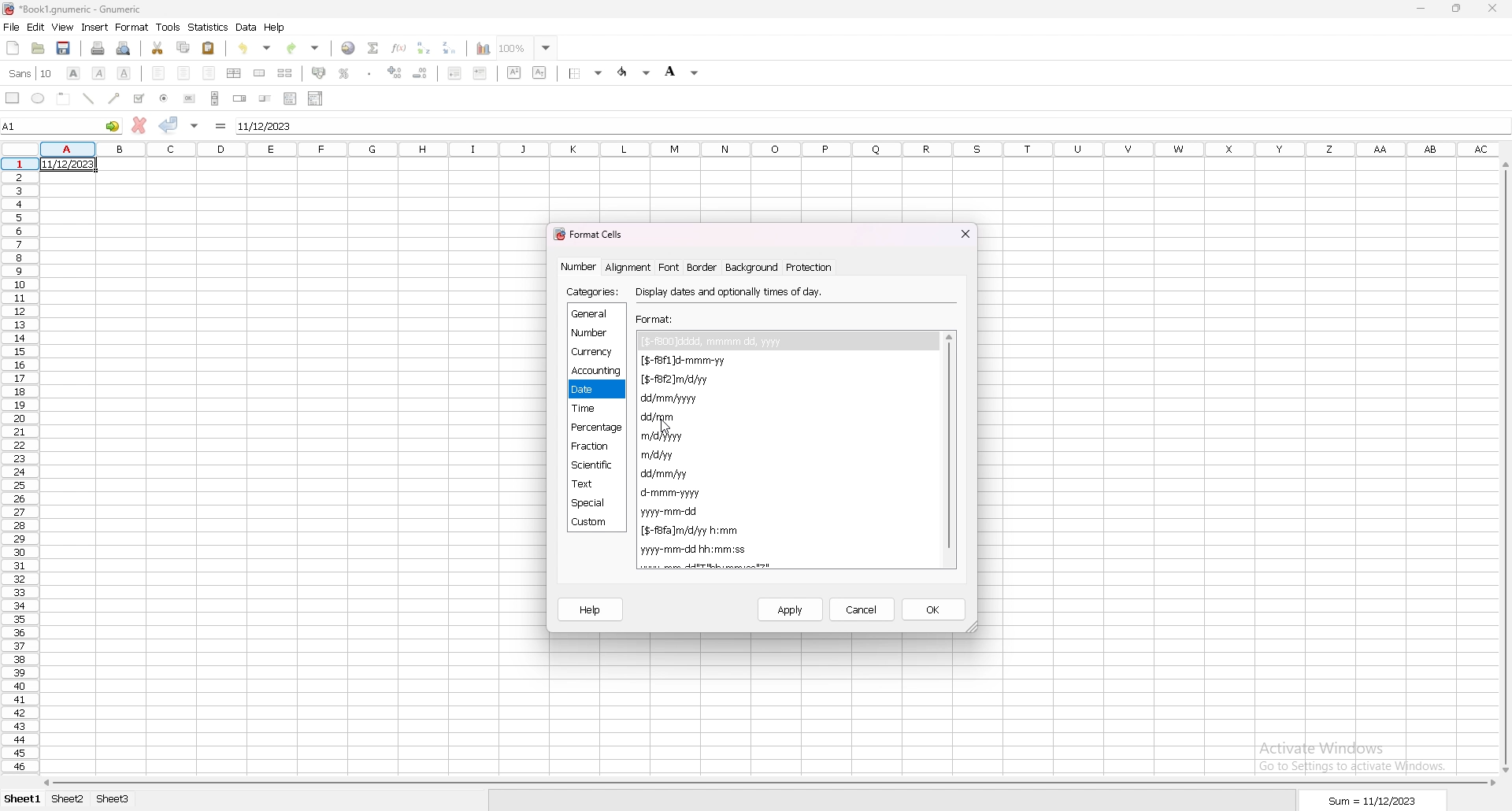  I want to click on sort descending, so click(451, 47).